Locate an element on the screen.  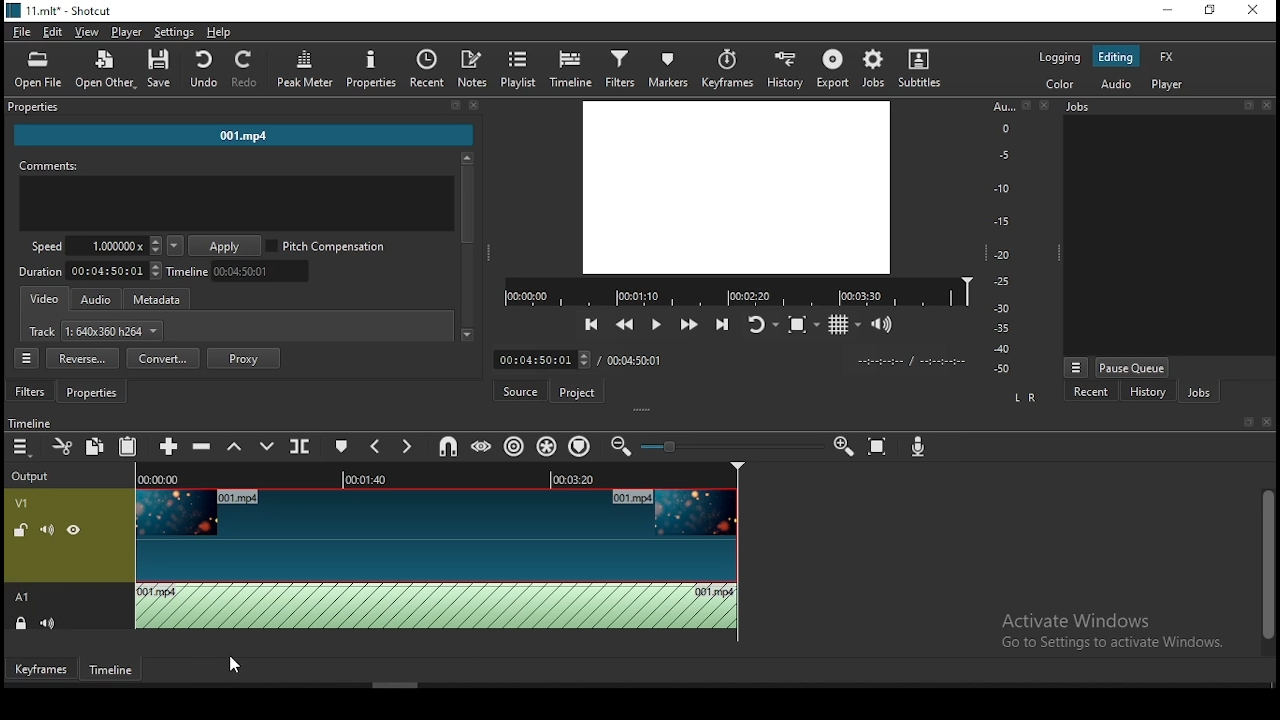
playback speed presets is located at coordinates (174, 247).